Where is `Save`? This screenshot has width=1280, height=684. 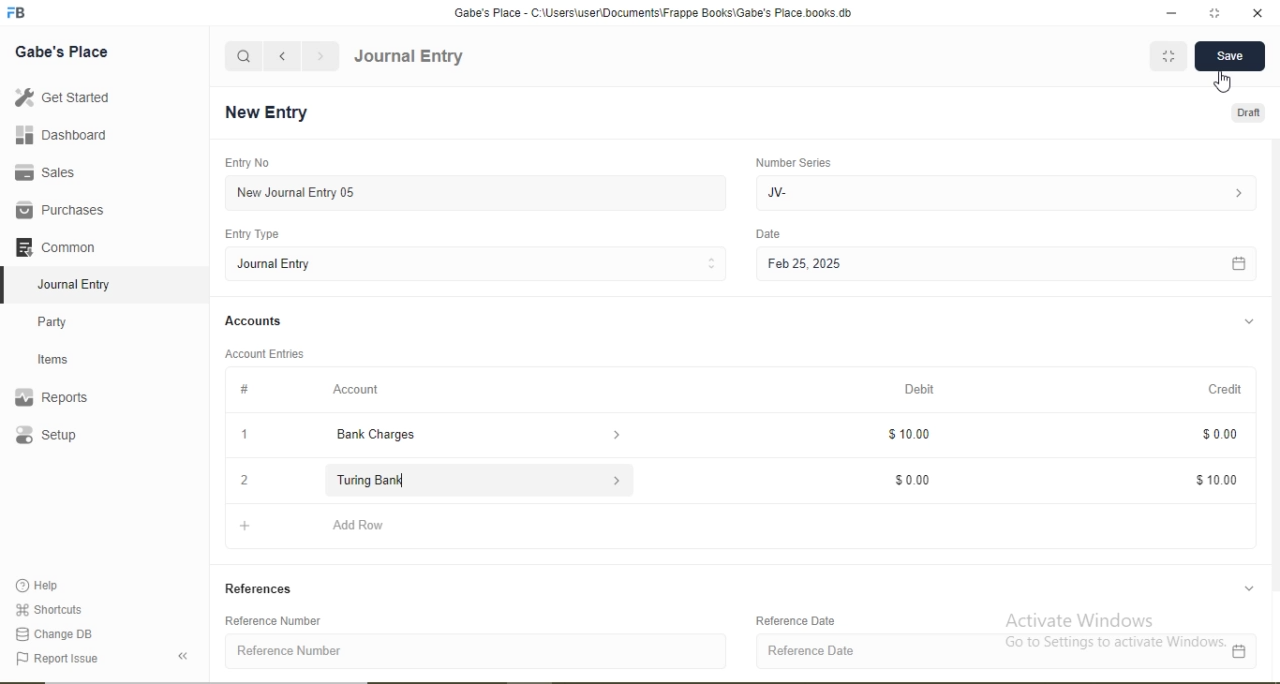 Save is located at coordinates (1228, 57).